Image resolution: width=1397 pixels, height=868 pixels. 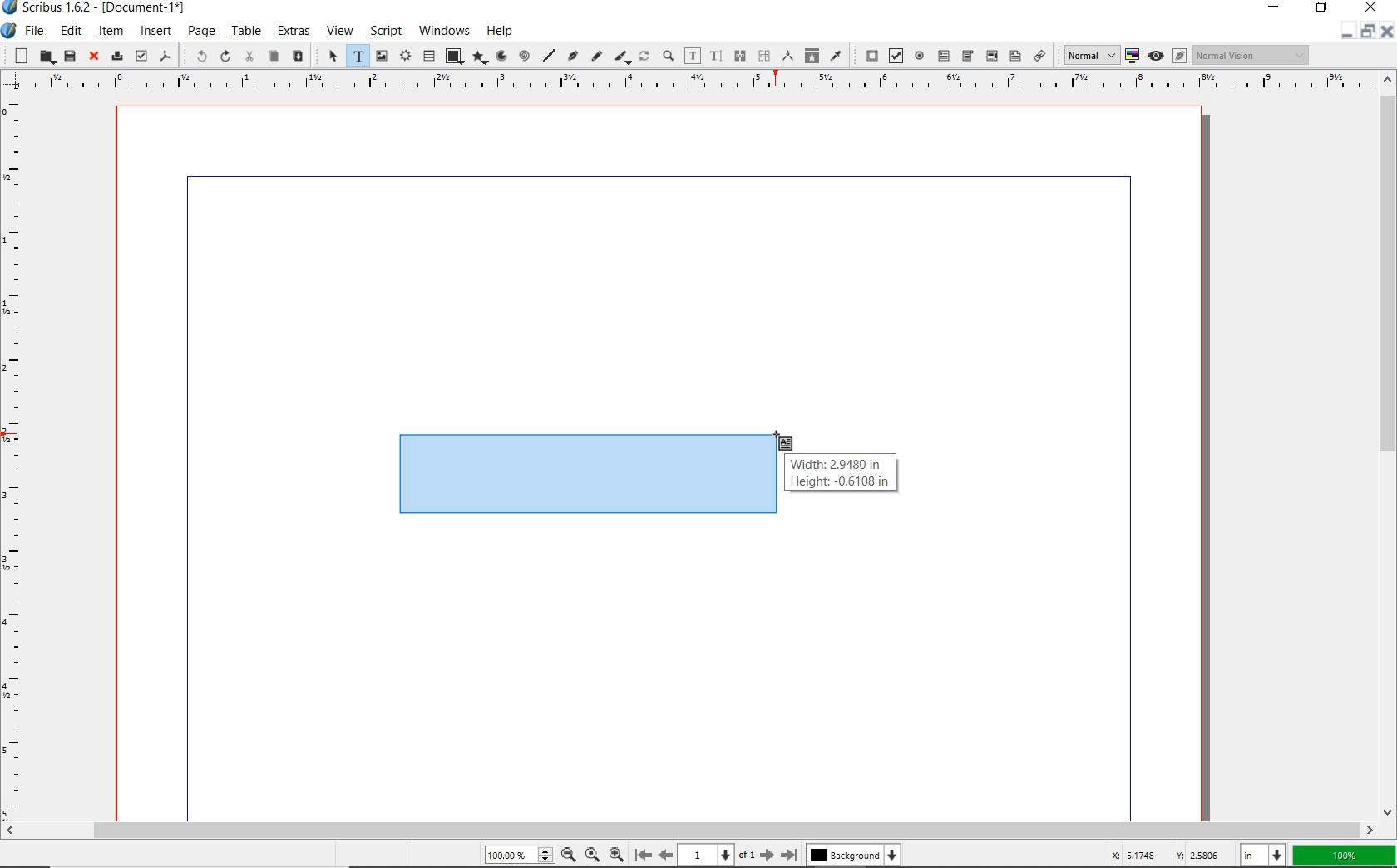 What do you see at coordinates (738, 56) in the screenshot?
I see `link text frames` at bounding box center [738, 56].